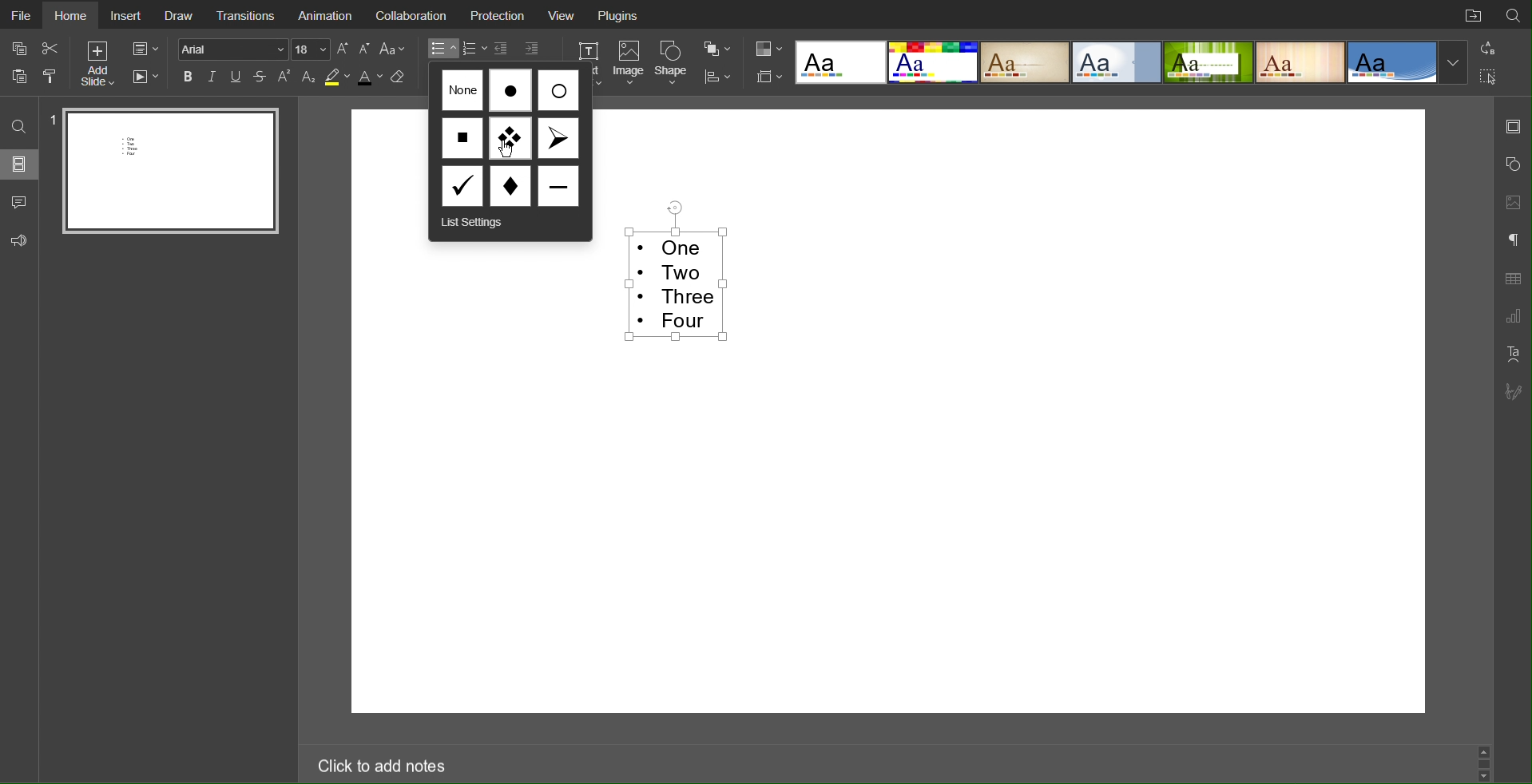 This screenshot has width=1532, height=784. What do you see at coordinates (18, 125) in the screenshot?
I see `Search` at bounding box center [18, 125].